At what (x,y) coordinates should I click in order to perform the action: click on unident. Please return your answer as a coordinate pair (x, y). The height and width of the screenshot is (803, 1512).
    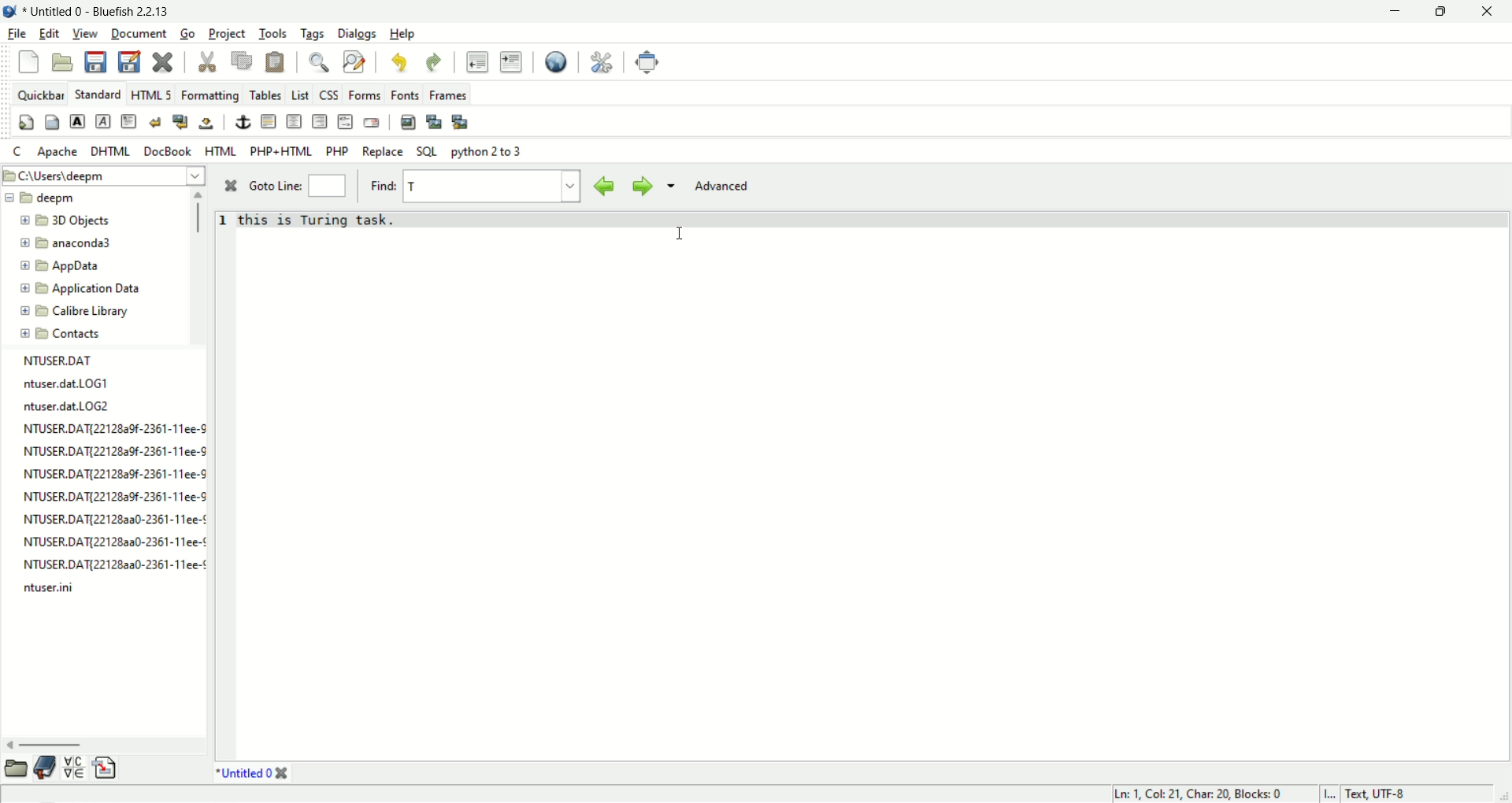
    Looking at the image, I should click on (476, 61).